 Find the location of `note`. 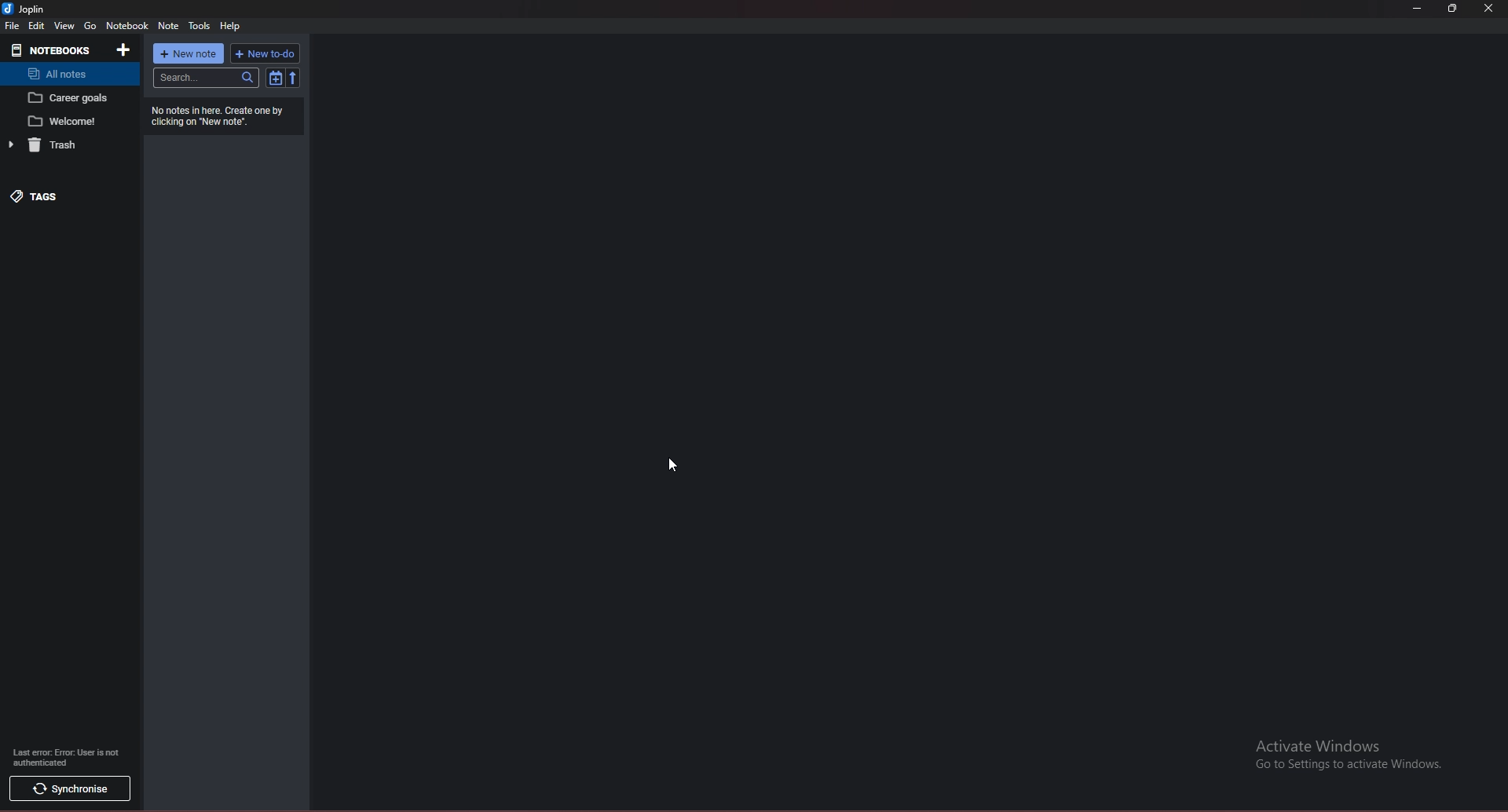

note is located at coordinates (168, 26).